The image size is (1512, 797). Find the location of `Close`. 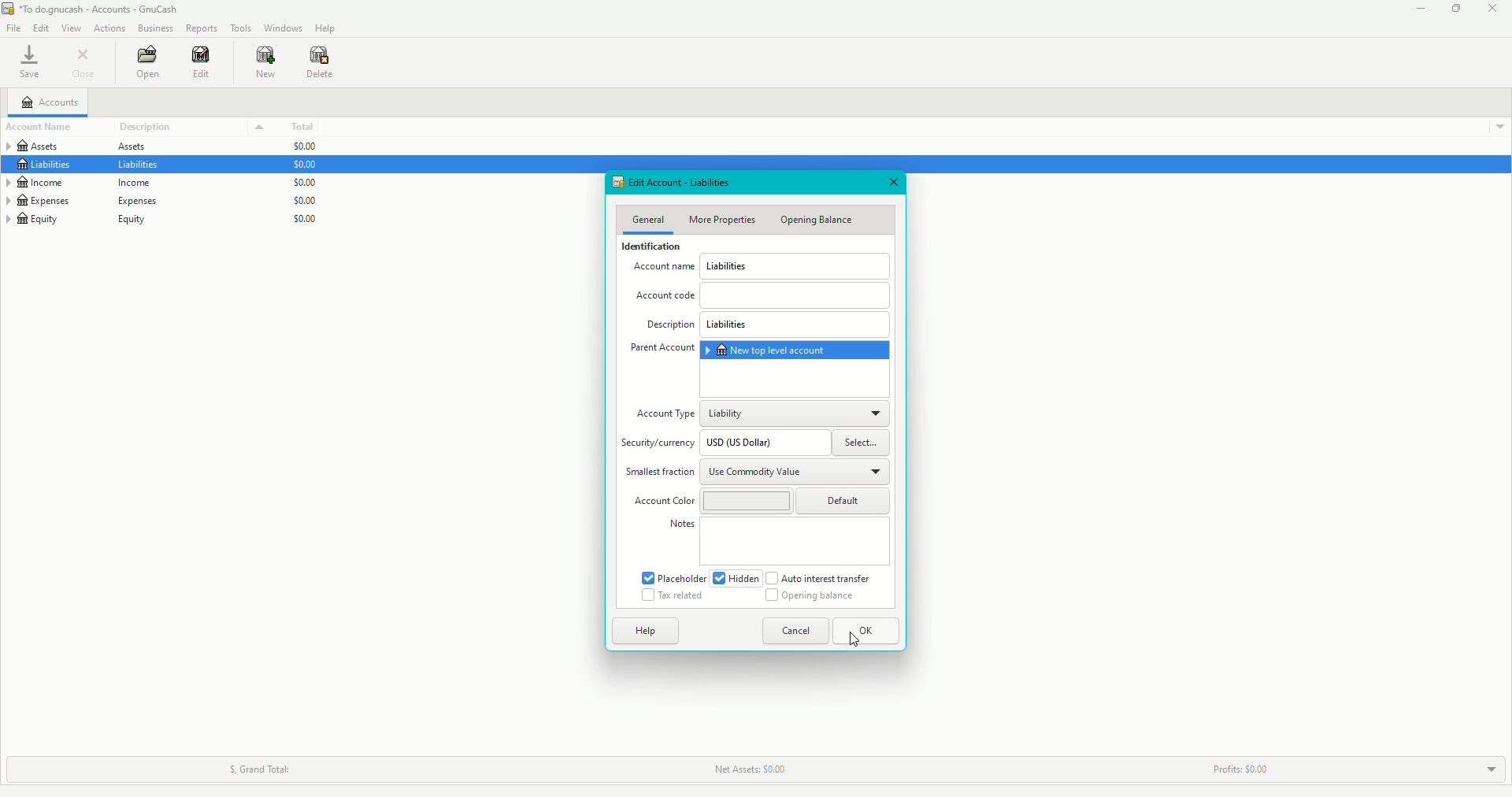

Close is located at coordinates (1493, 9).